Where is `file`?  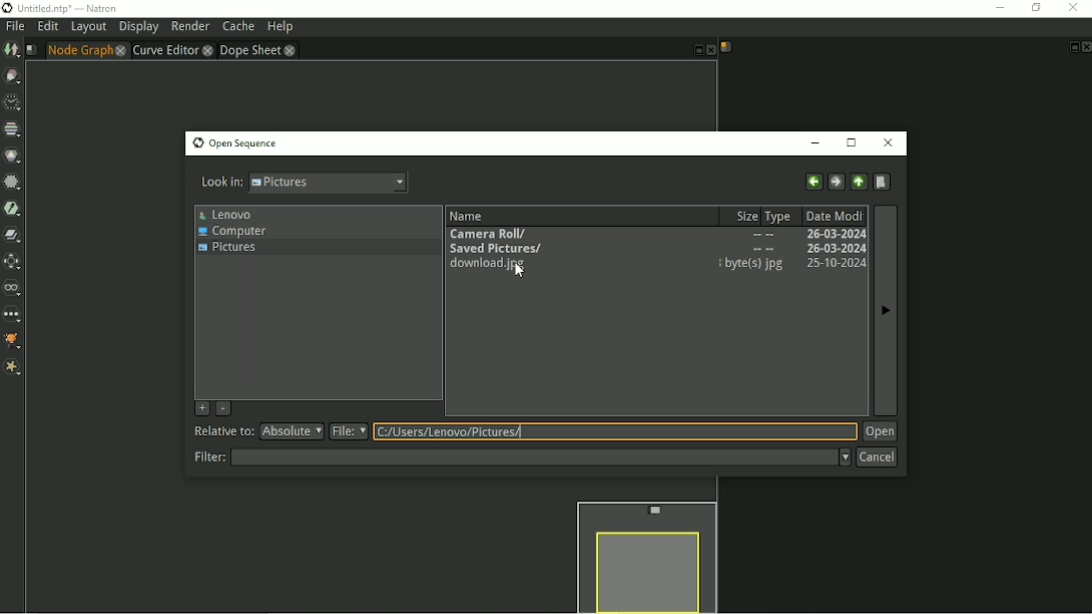
file is located at coordinates (349, 431).